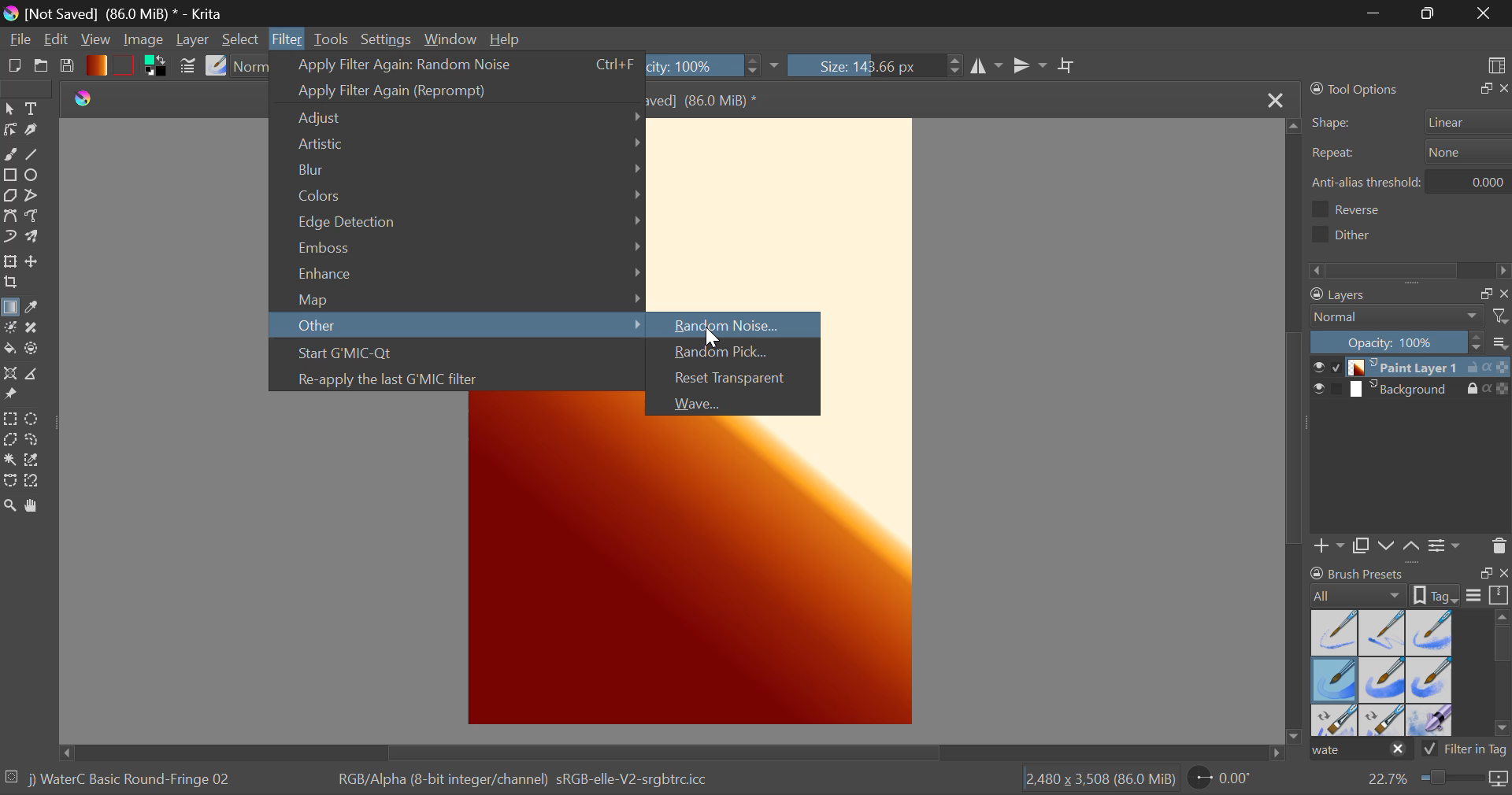  I want to click on normal, so click(1398, 316).